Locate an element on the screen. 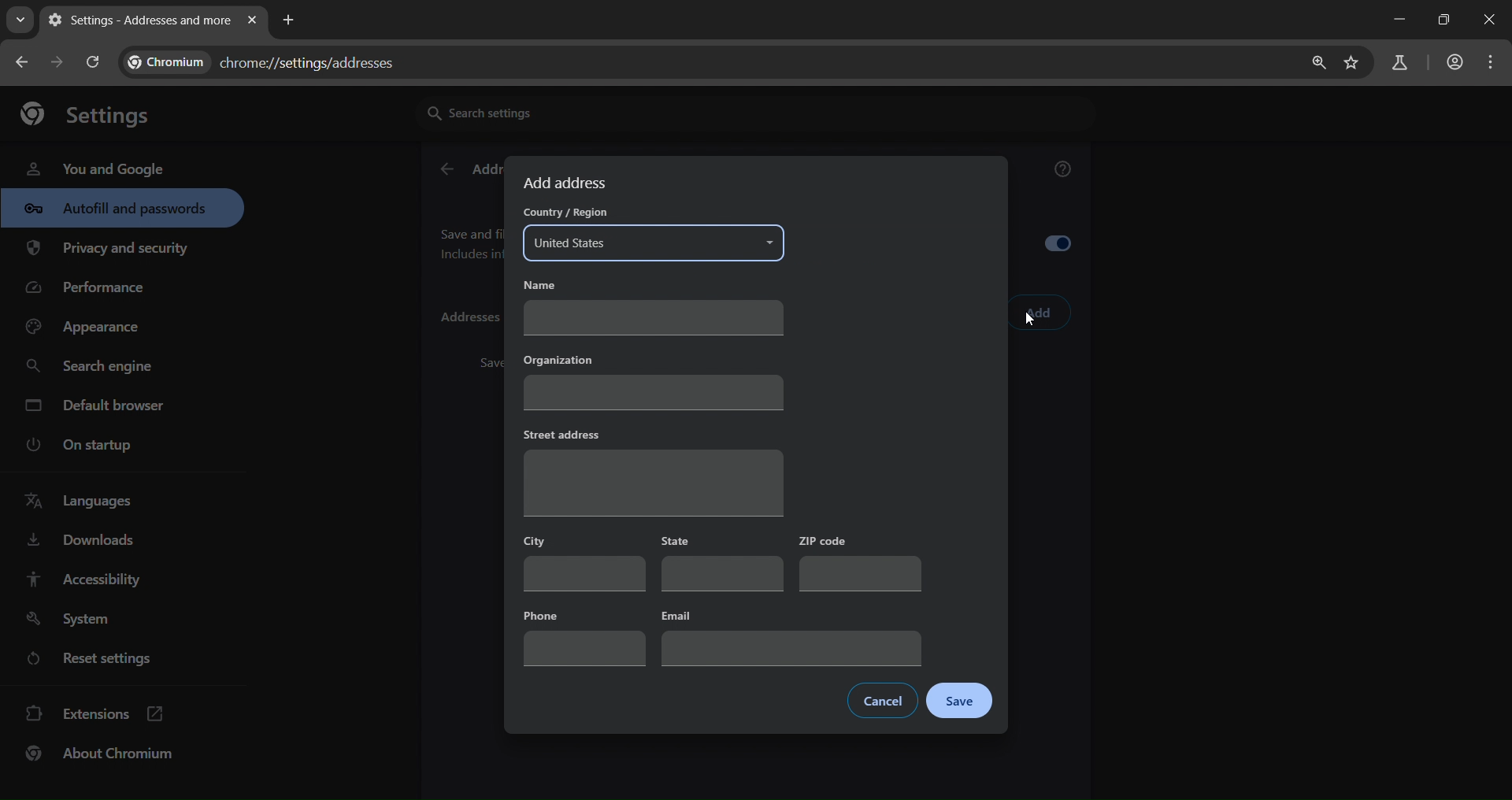  reload is located at coordinates (91, 61).